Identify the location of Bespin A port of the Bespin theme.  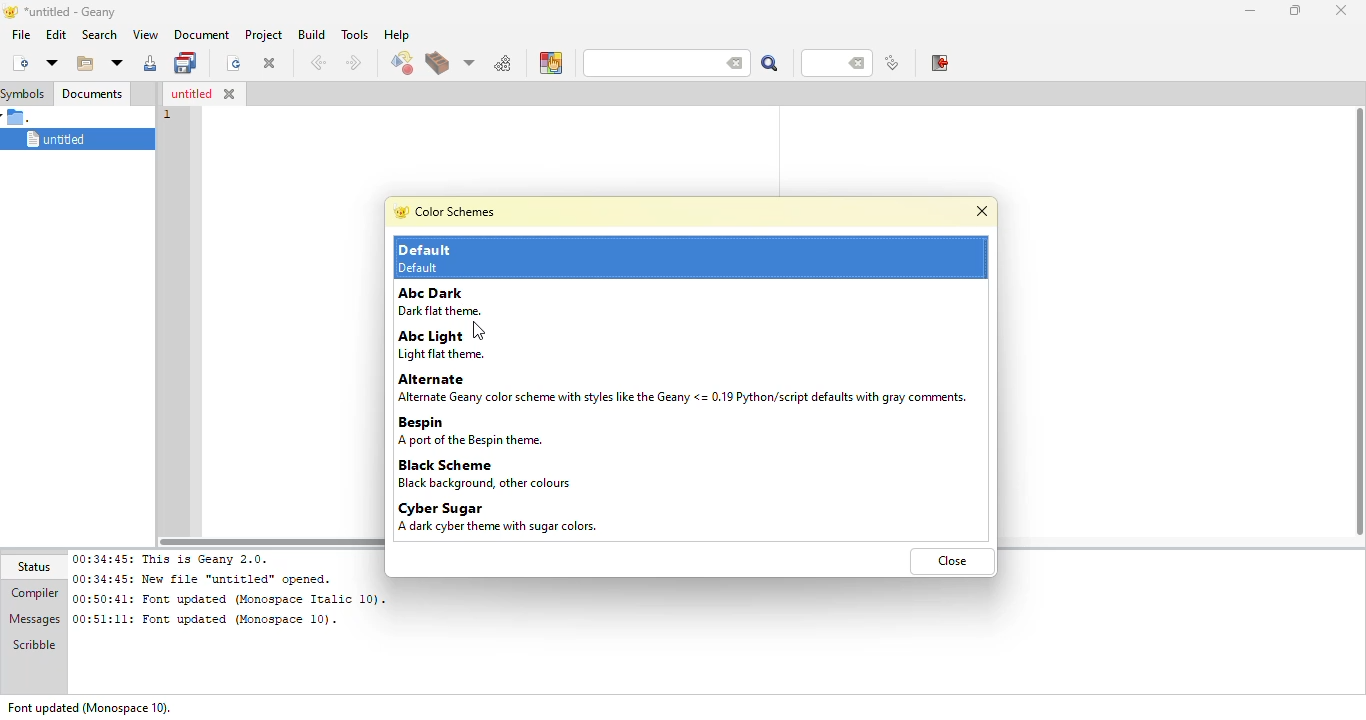
(521, 433).